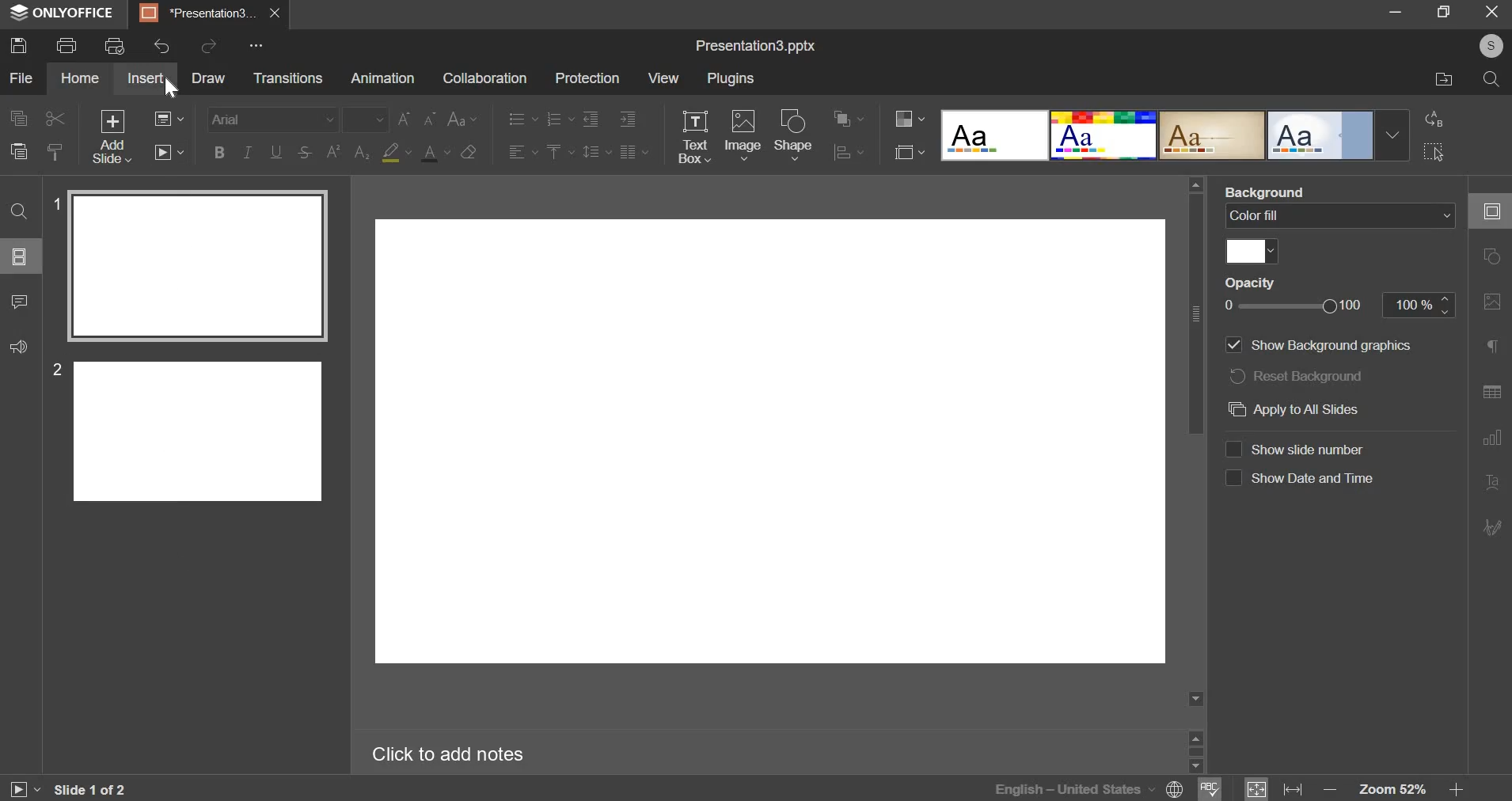 This screenshot has height=801, width=1512. What do you see at coordinates (1488, 46) in the screenshot?
I see `Account name` at bounding box center [1488, 46].